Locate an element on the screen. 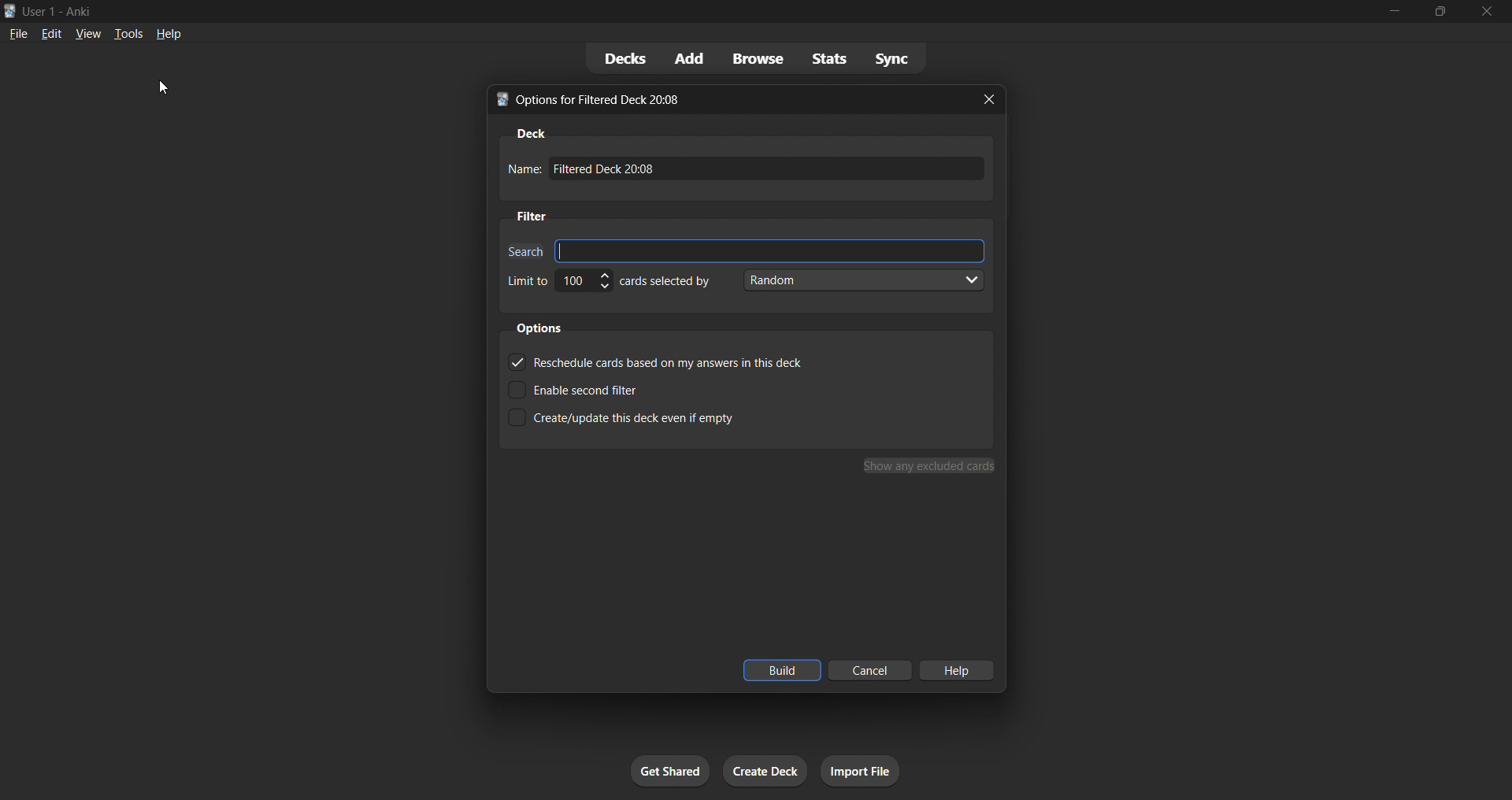 The width and height of the screenshot is (1512, 800). Options for Filtered Deck is located at coordinates (609, 100).